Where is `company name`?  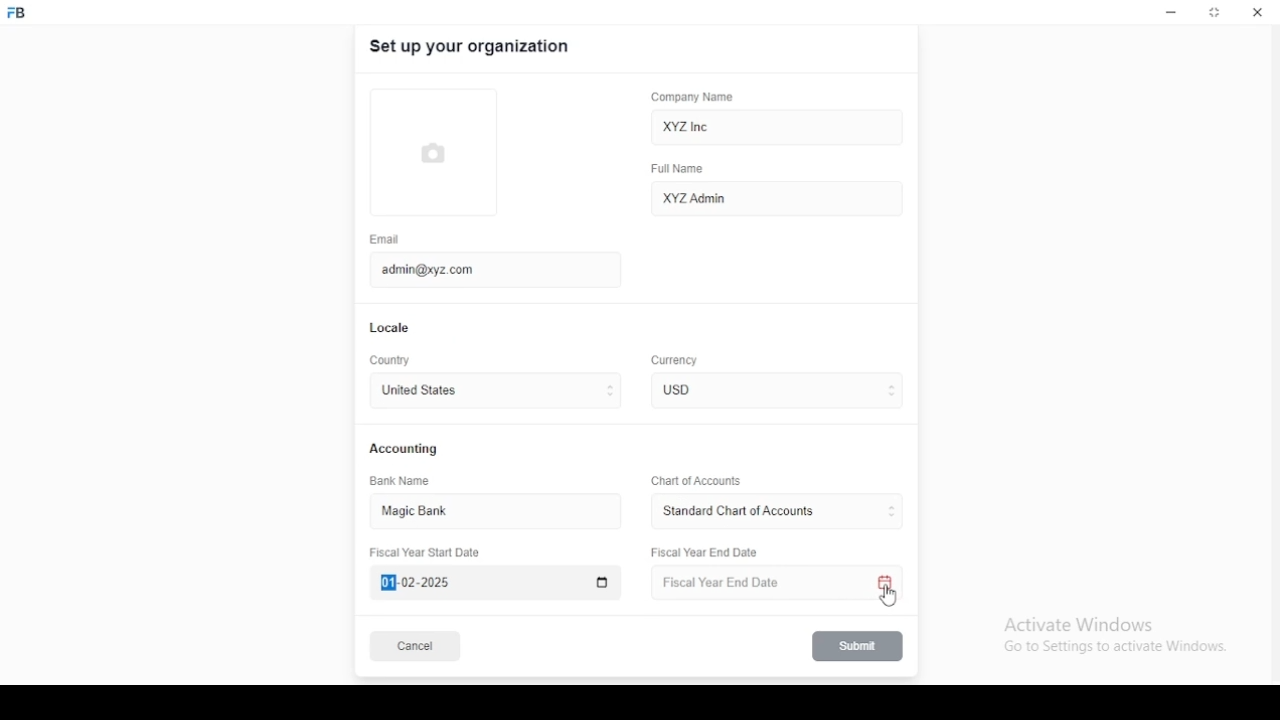
company name is located at coordinates (692, 97).